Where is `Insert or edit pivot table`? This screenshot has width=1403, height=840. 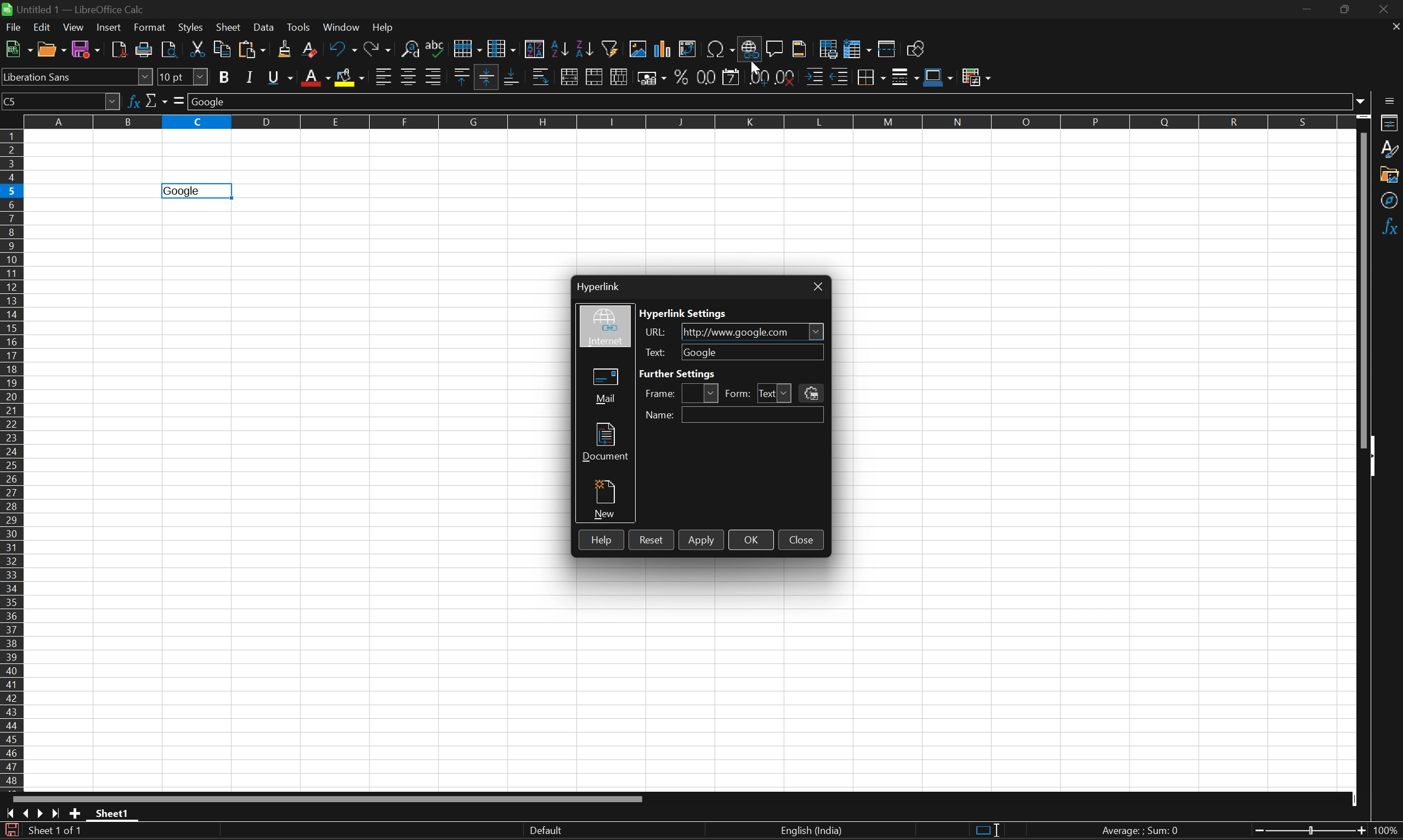 Insert or edit pivot table is located at coordinates (688, 48).